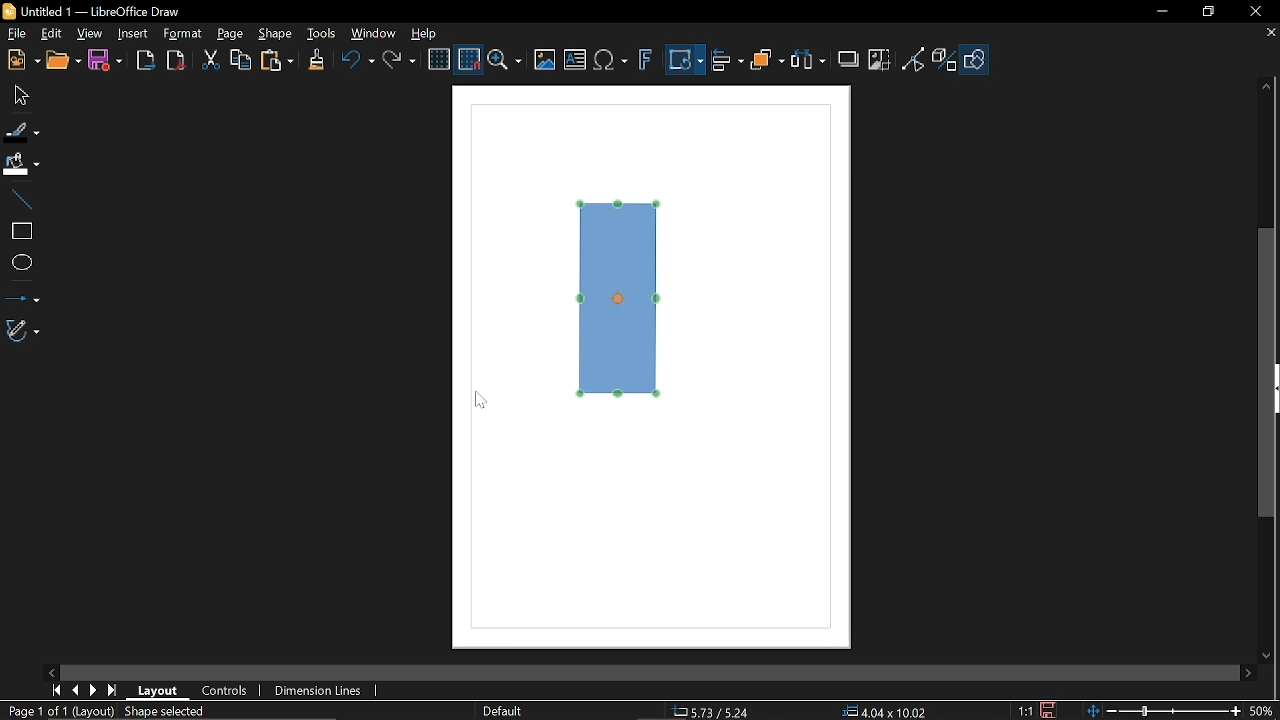  What do you see at coordinates (209, 63) in the screenshot?
I see `Cut` at bounding box center [209, 63].